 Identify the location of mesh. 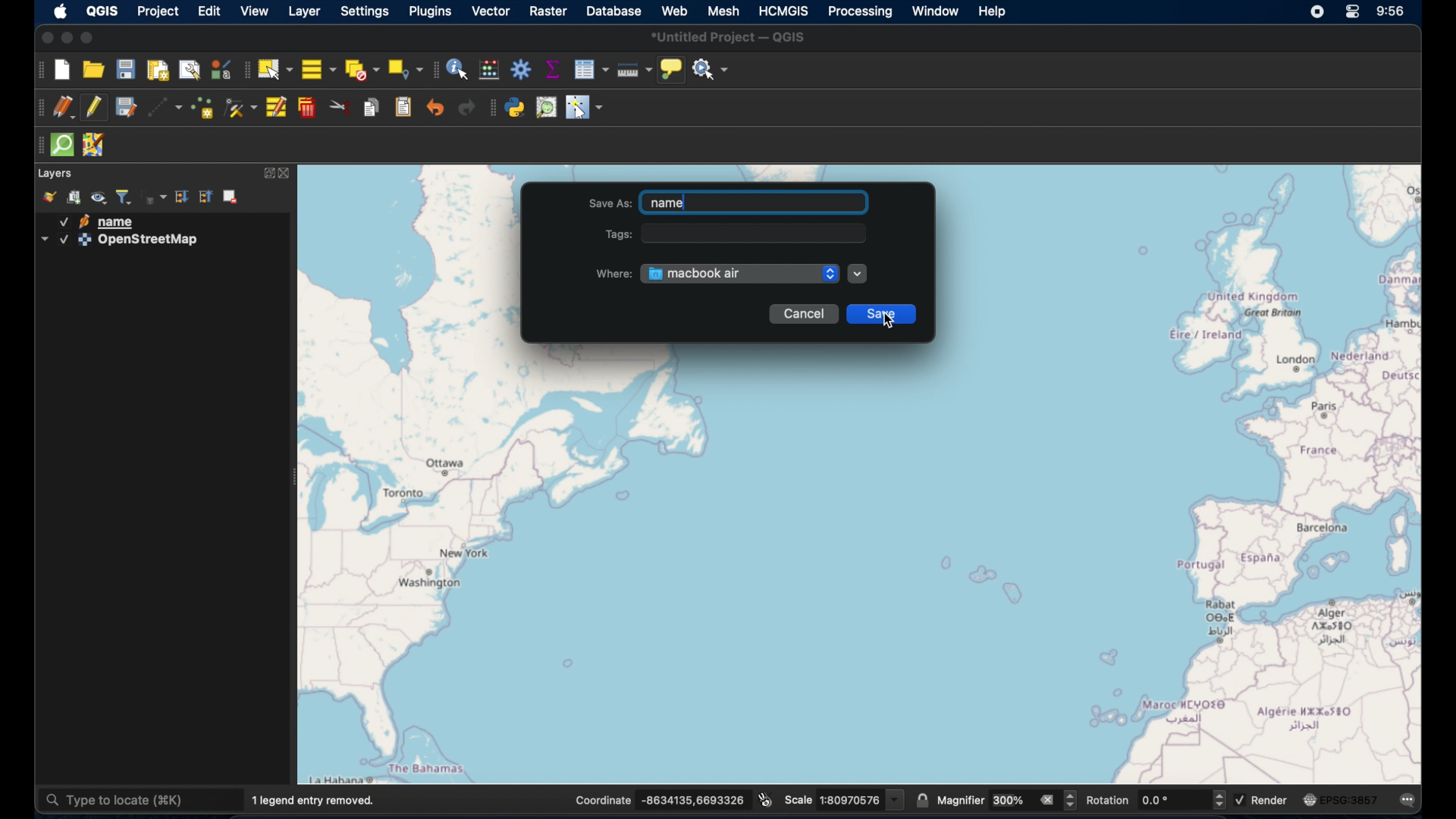
(723, 11).